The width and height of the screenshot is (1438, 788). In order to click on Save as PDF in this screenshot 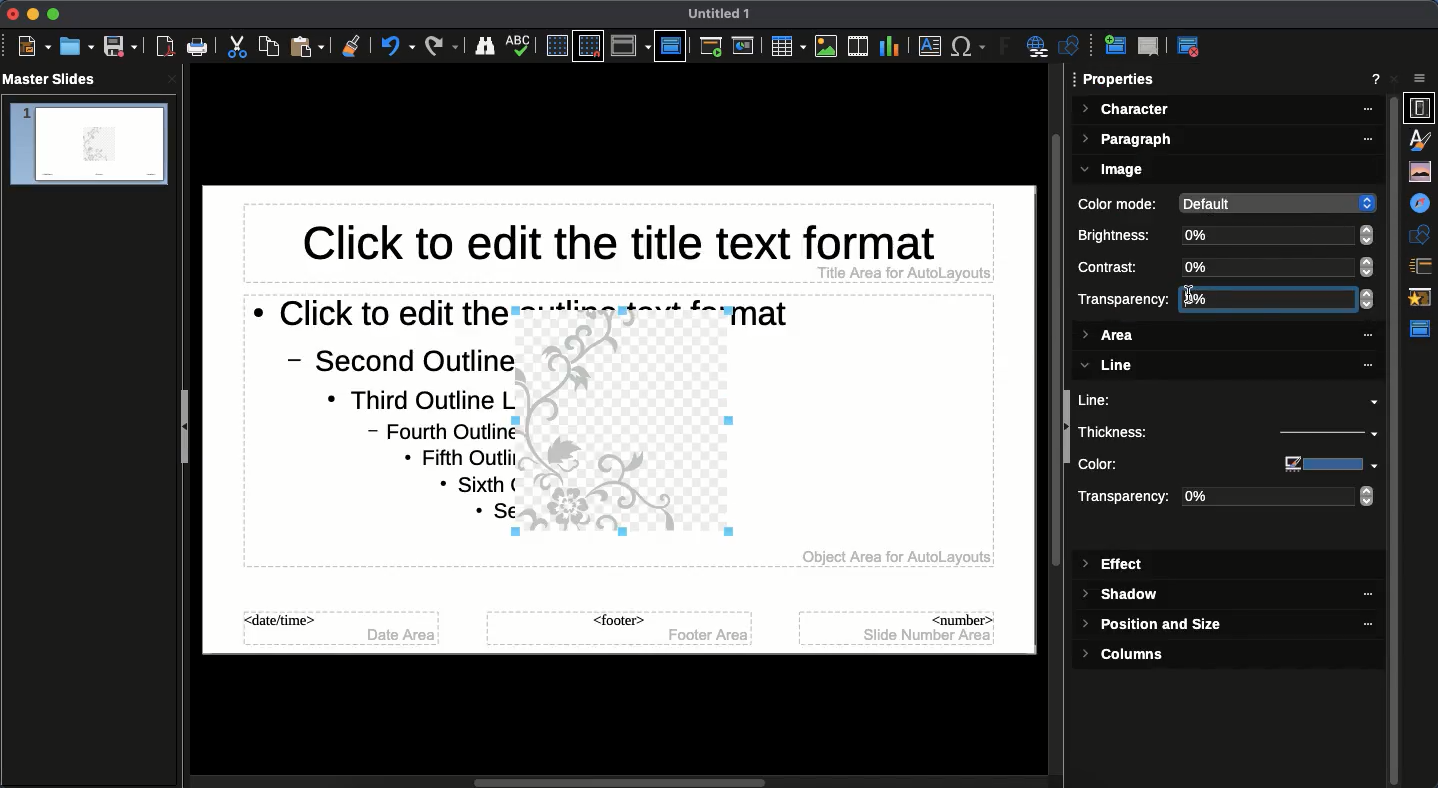, I will do `click(167, 49)`.